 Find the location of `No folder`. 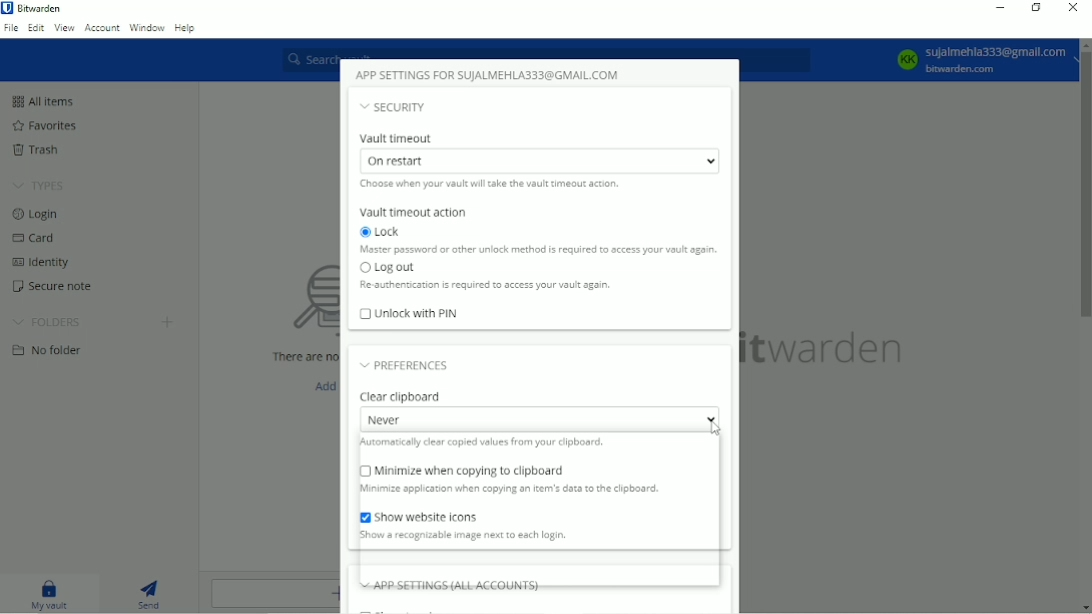

No folder is located at coordinates (54, 350).